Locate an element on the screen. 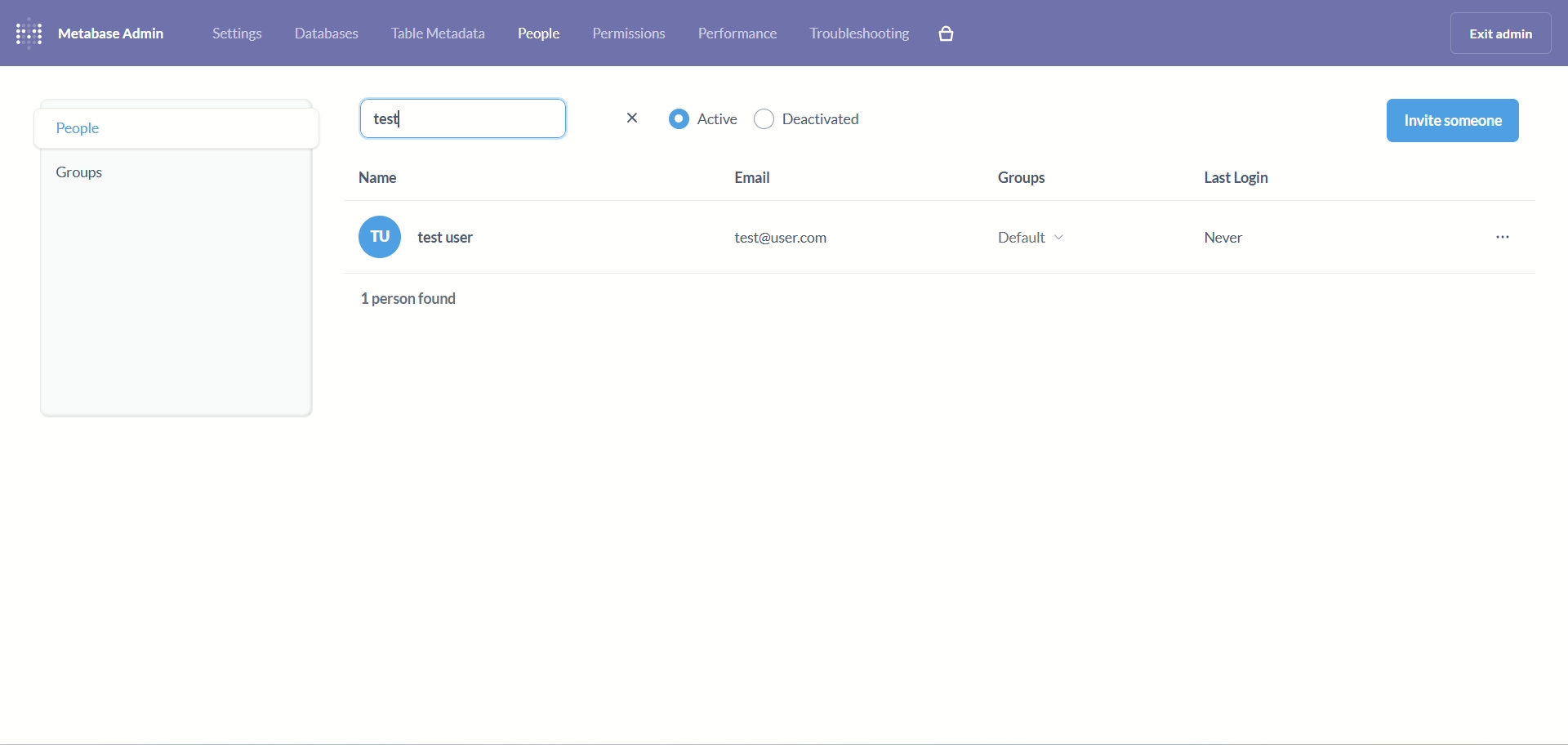  Groups is located at coordinates (1022, 178).